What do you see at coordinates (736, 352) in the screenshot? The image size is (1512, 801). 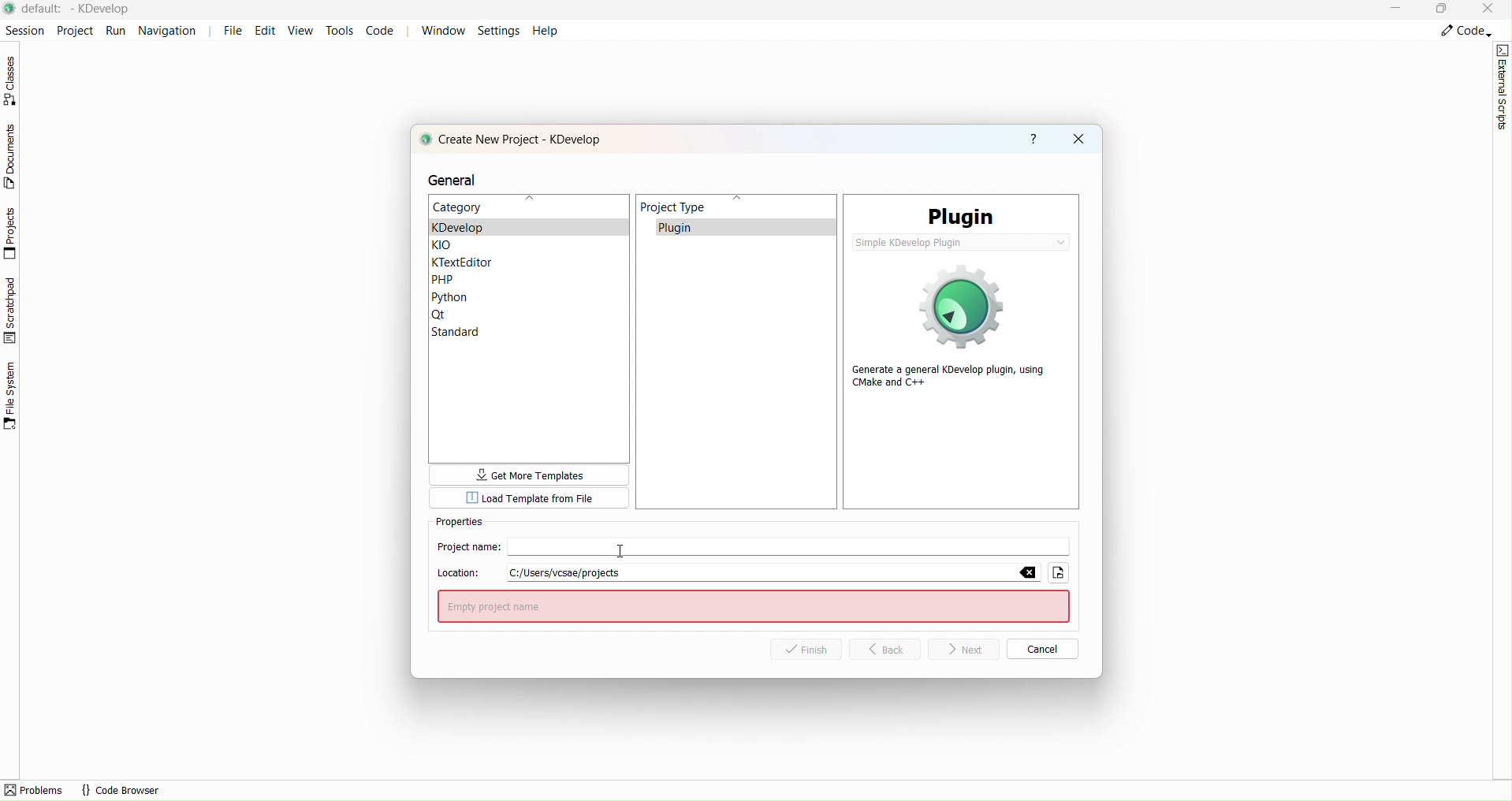 I see `Project type` at bounding box center [736, 352].